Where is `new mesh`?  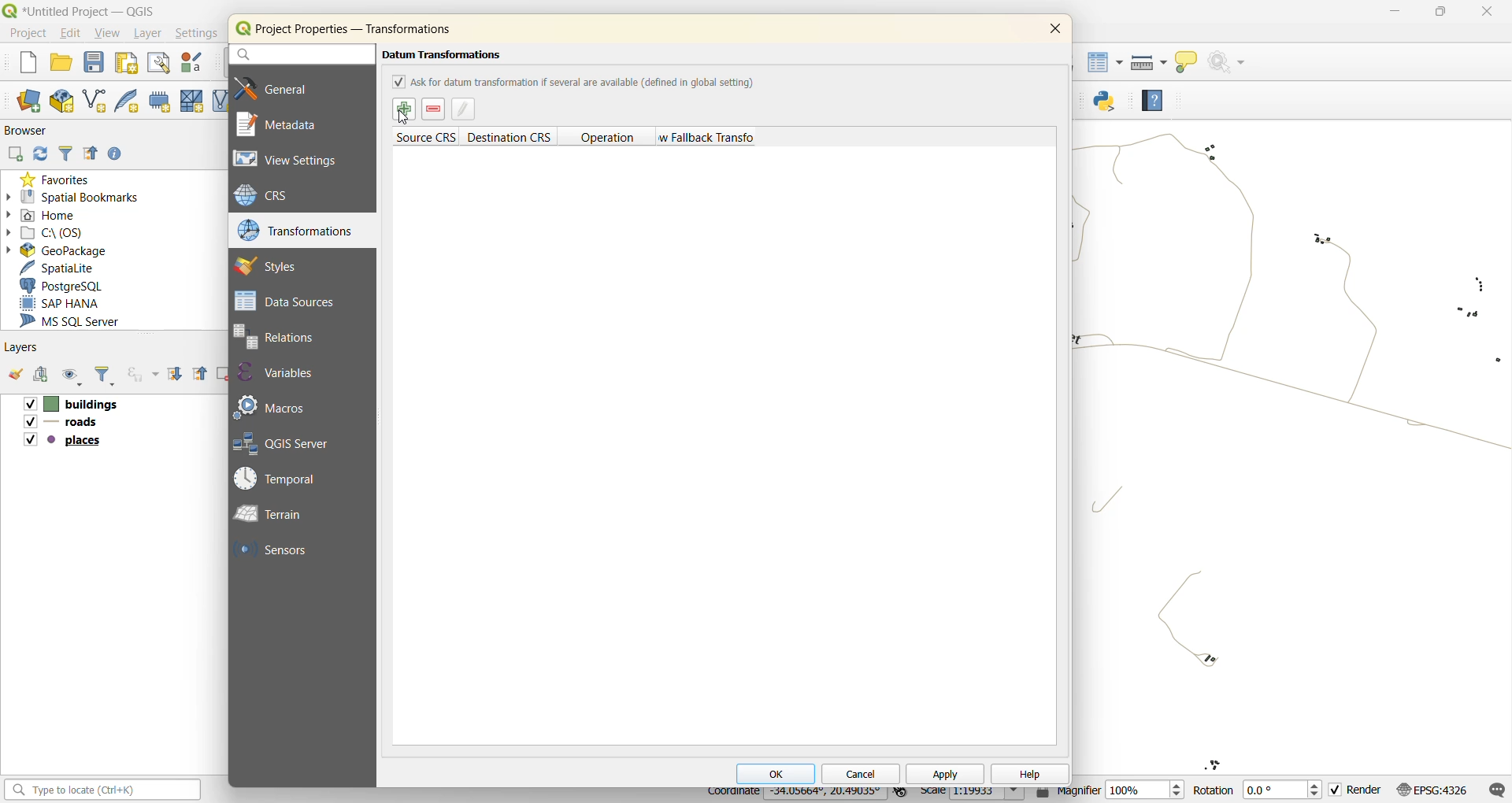
new mesh is located at coordinates (190, 101).